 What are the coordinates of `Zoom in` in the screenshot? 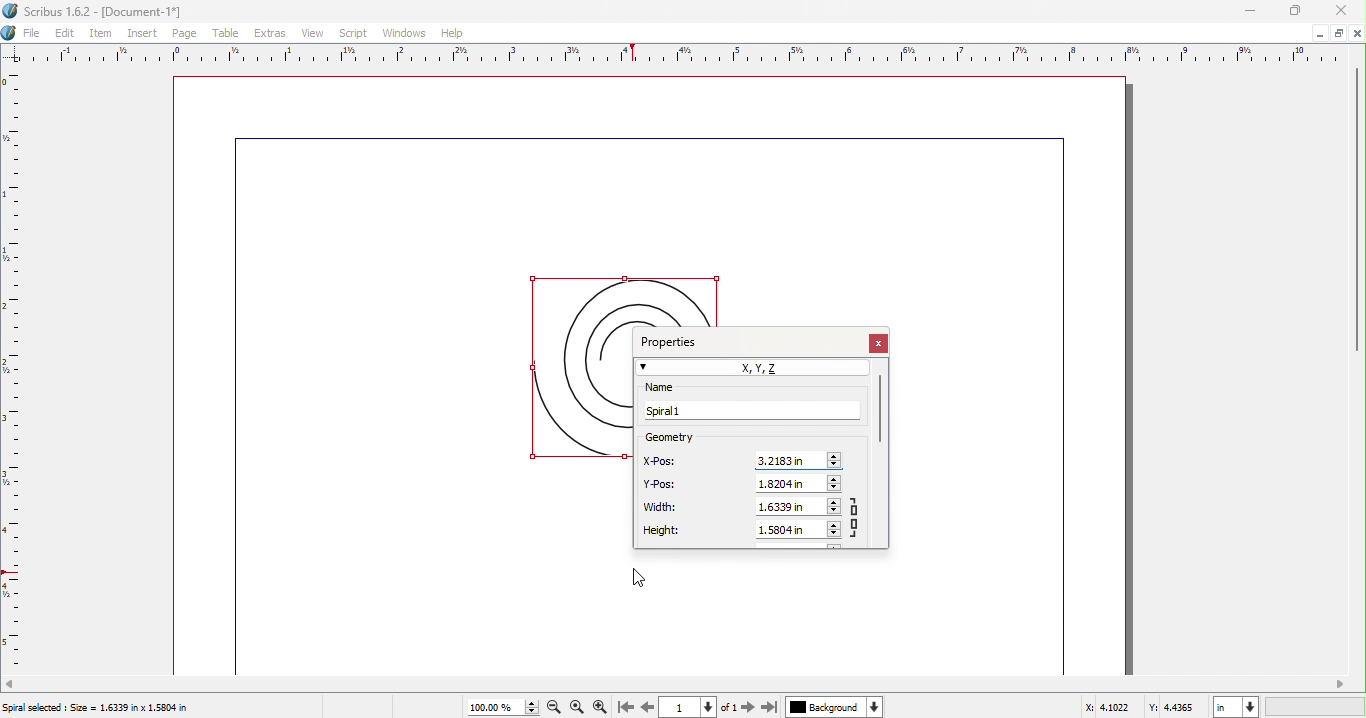 It's located at (602, 707).